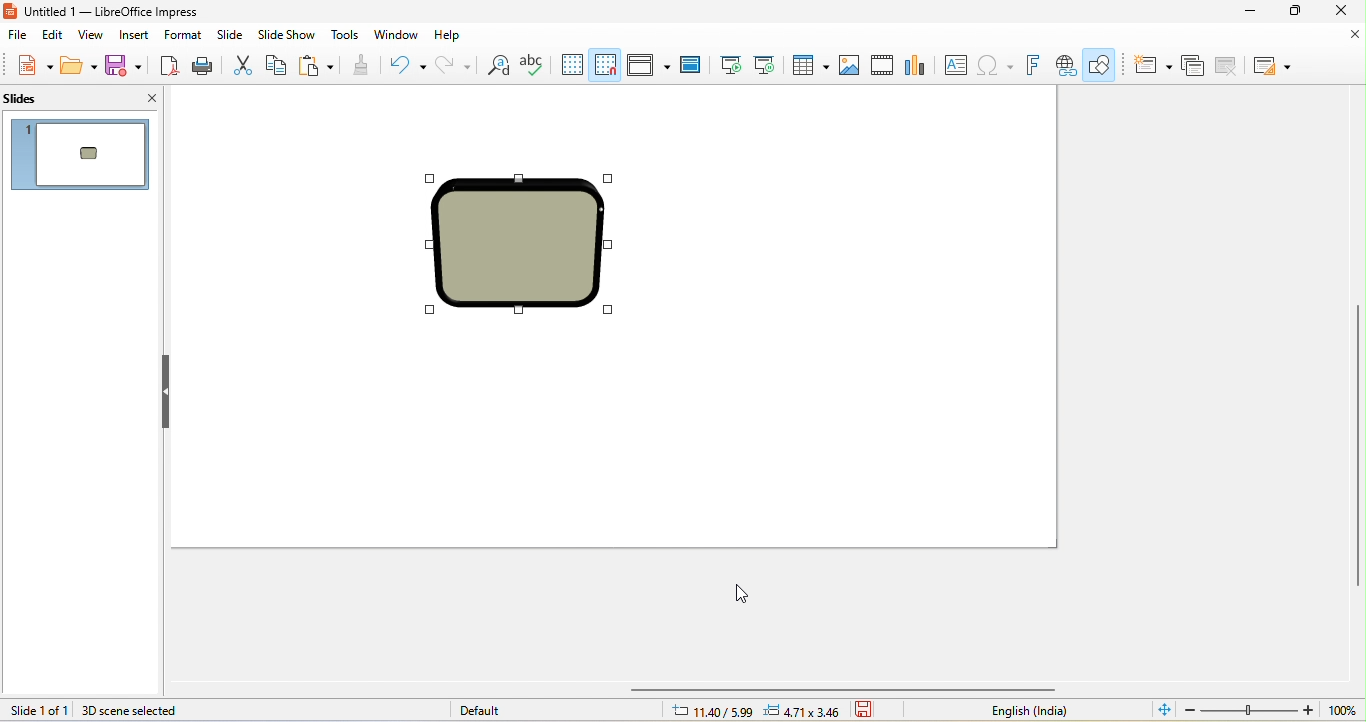  Describe the element at coordinates (607, 65) in the screenshot. I see `snap to grid` at that location.